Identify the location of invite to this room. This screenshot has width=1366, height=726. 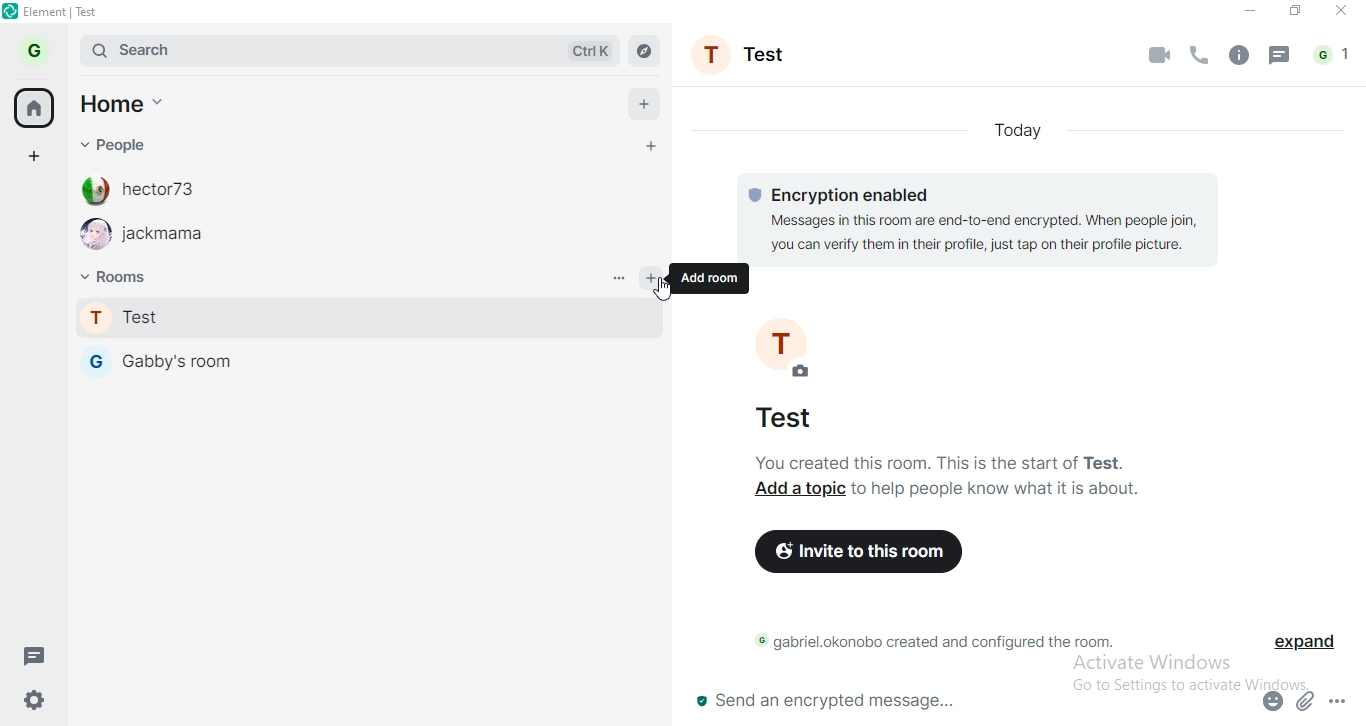
(856, 556).